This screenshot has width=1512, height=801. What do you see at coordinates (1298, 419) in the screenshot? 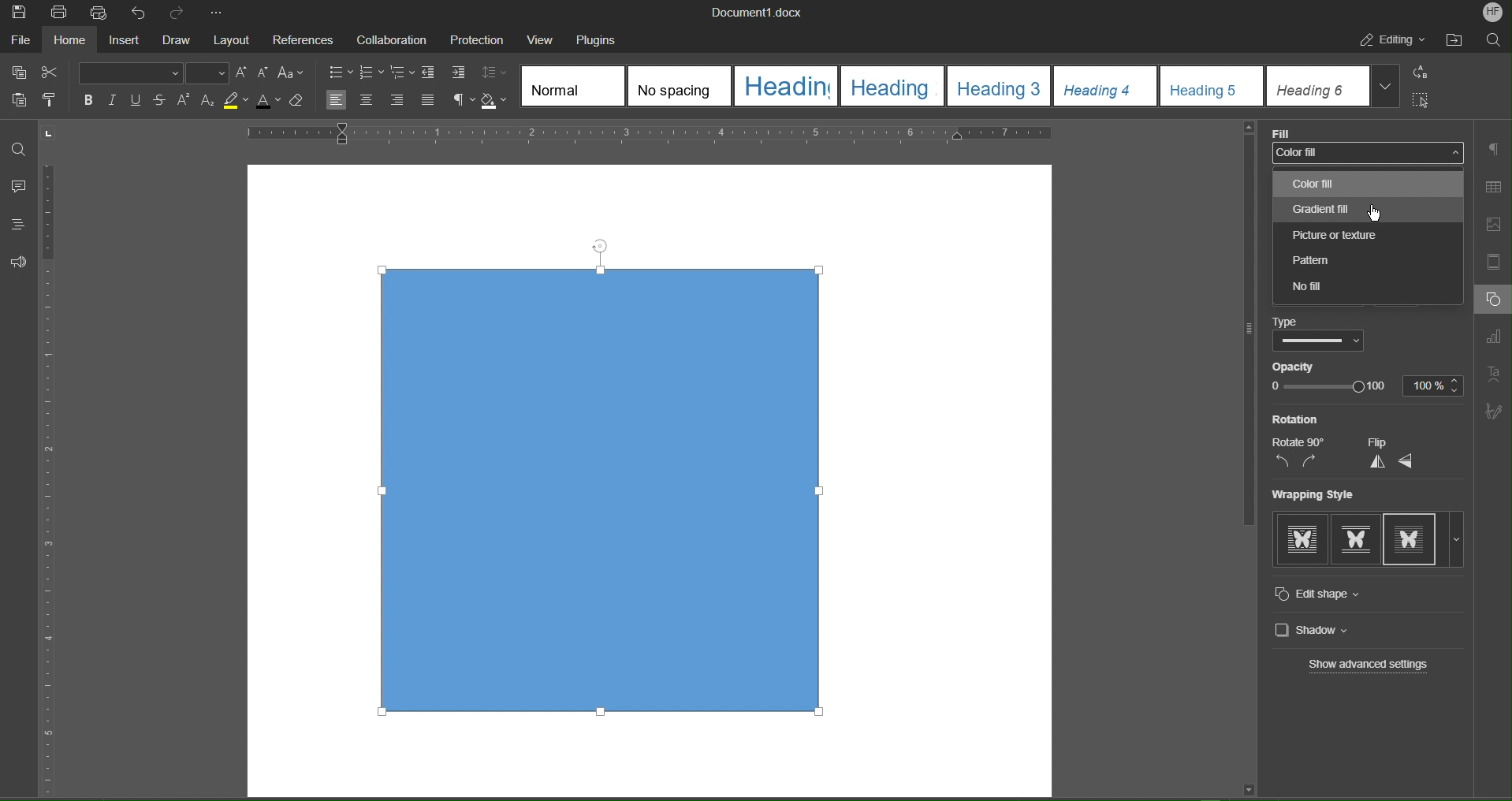
I see `Rotation` at bounding box center [1298, 419].